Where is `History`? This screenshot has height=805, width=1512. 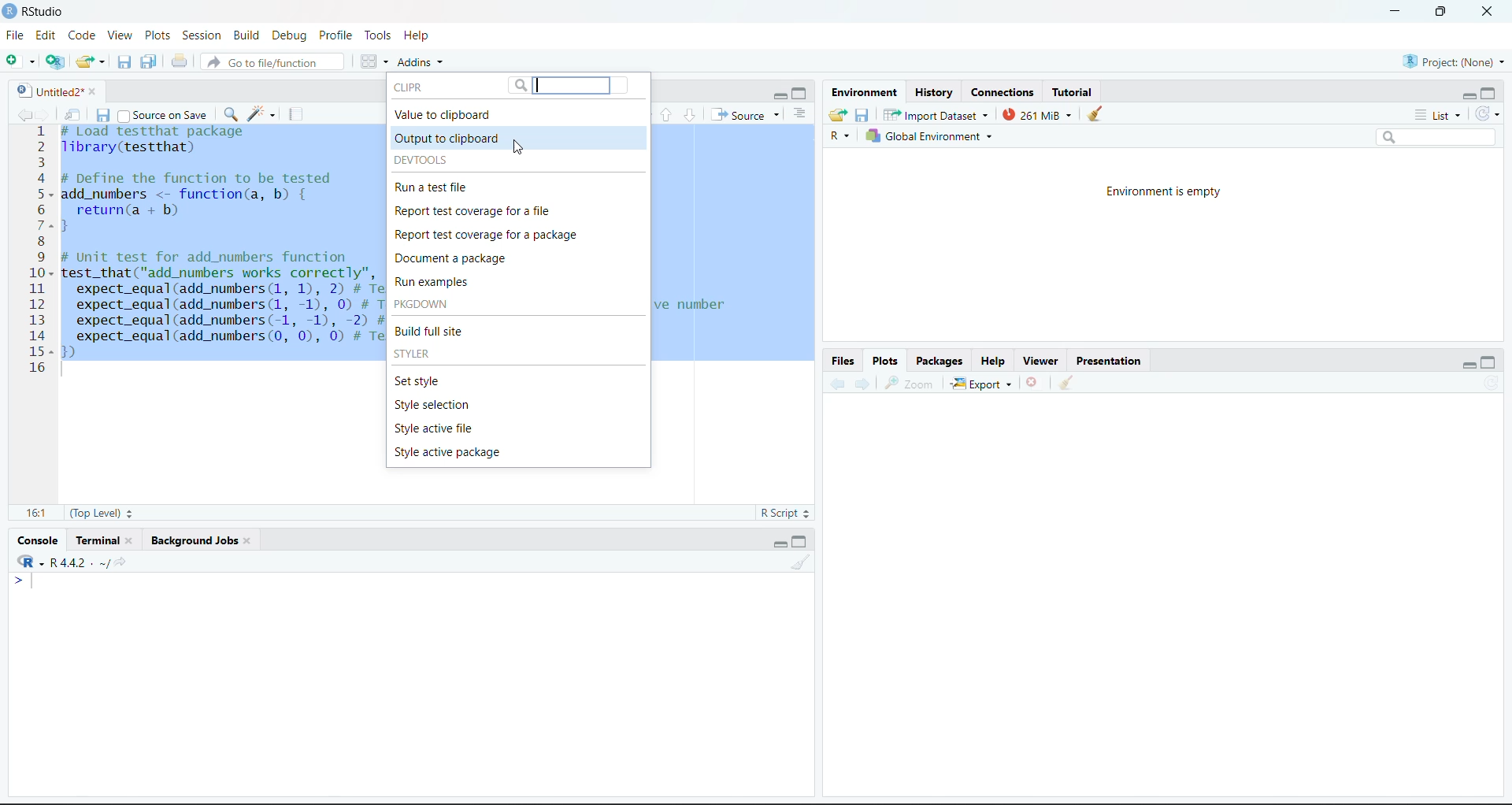 History is located at coordinates (934, 93).